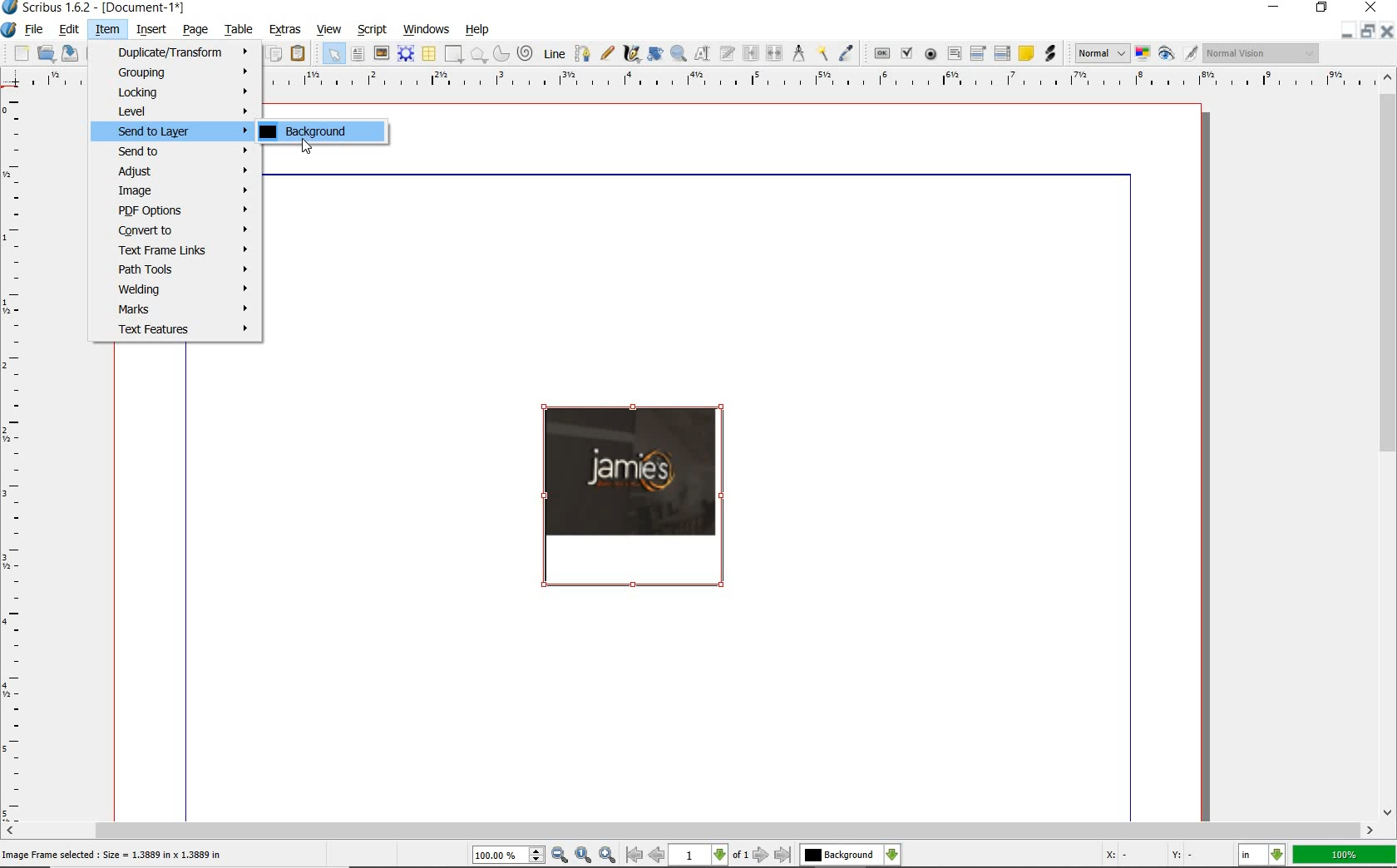 This screenshot has width=1397, height=868. Describe the element at coordinates (1026, 54) in the screenshot. I see `text annotation` at that location.